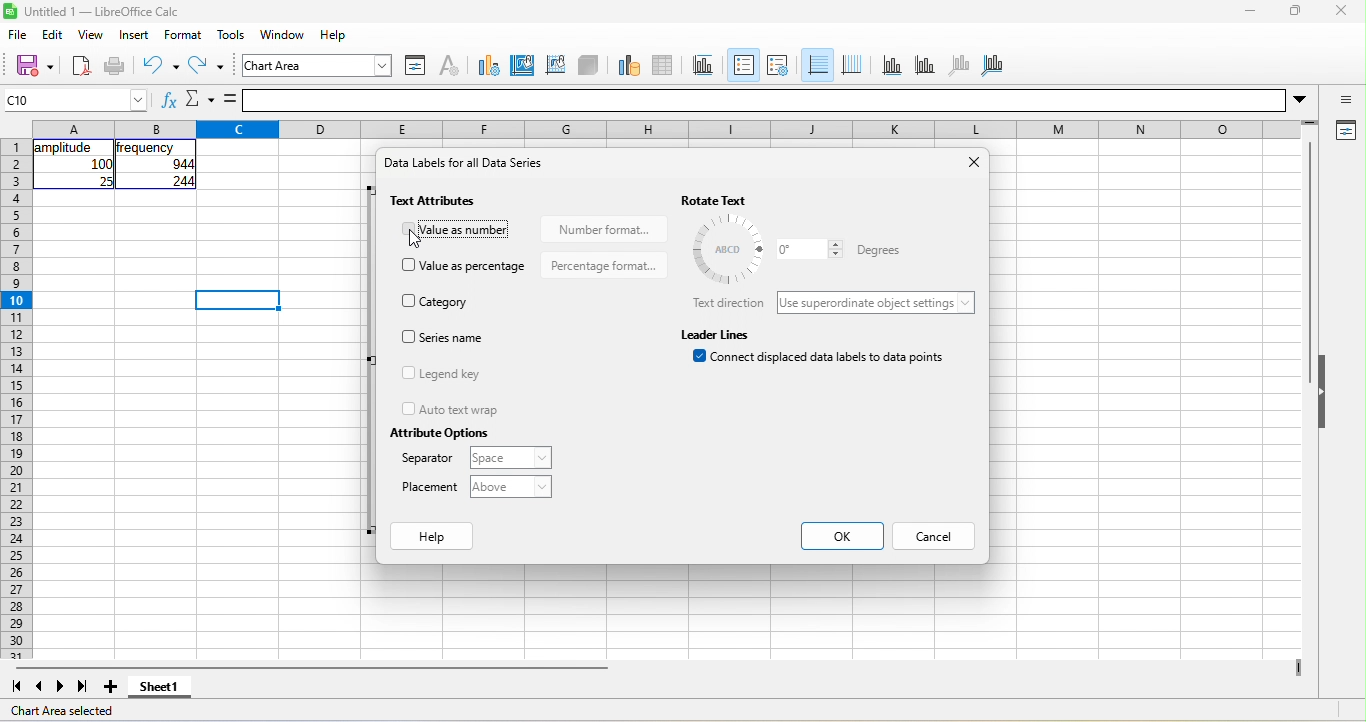 The width and height of the screenshot is (1366, 722). Describe the element at coordinates (777, 65) in the screenshot. I see `legend` at that location.